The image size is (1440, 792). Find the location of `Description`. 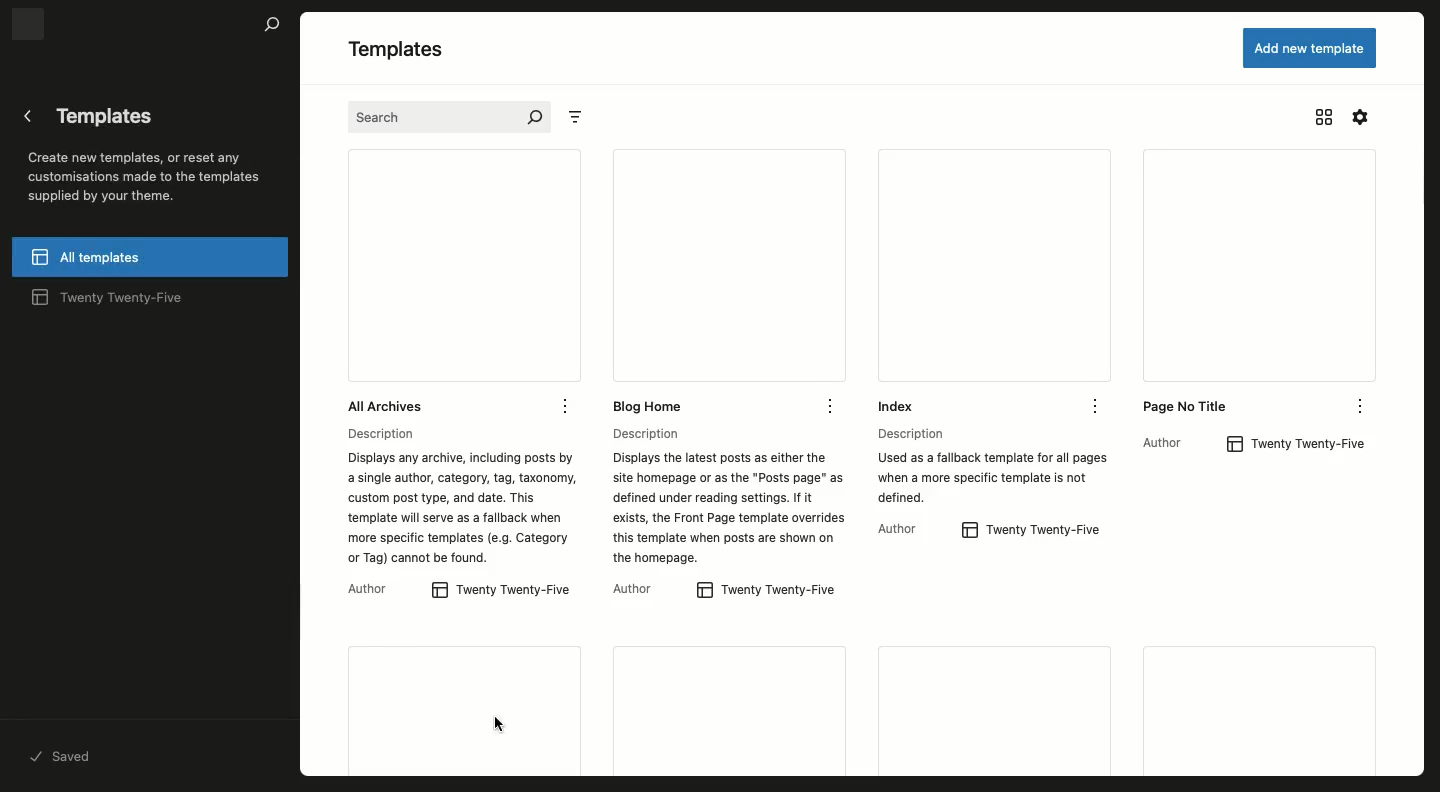

Description is located at coordinates (727, 497).